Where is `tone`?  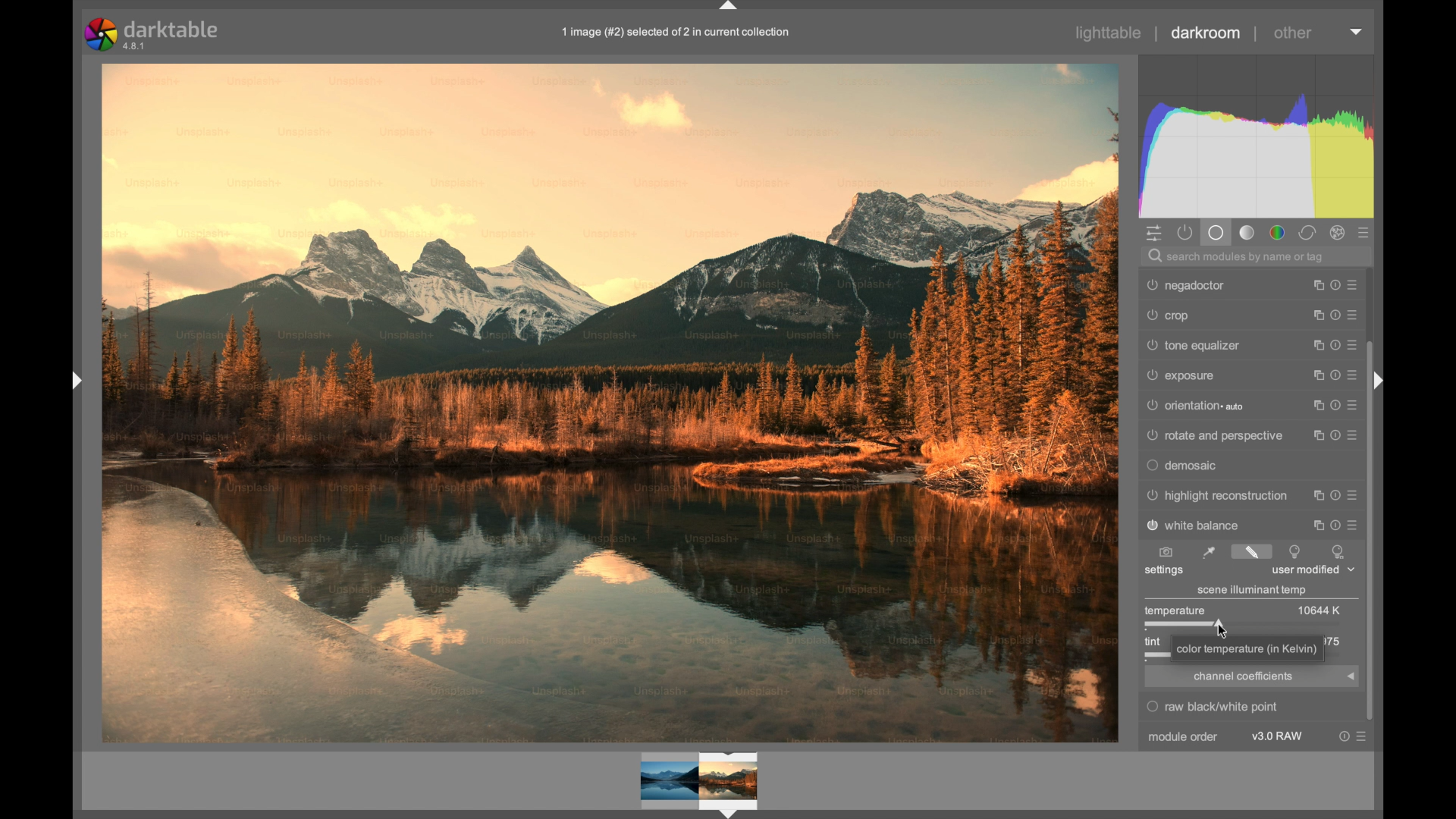 tone is located at coordinates (1247, 232).